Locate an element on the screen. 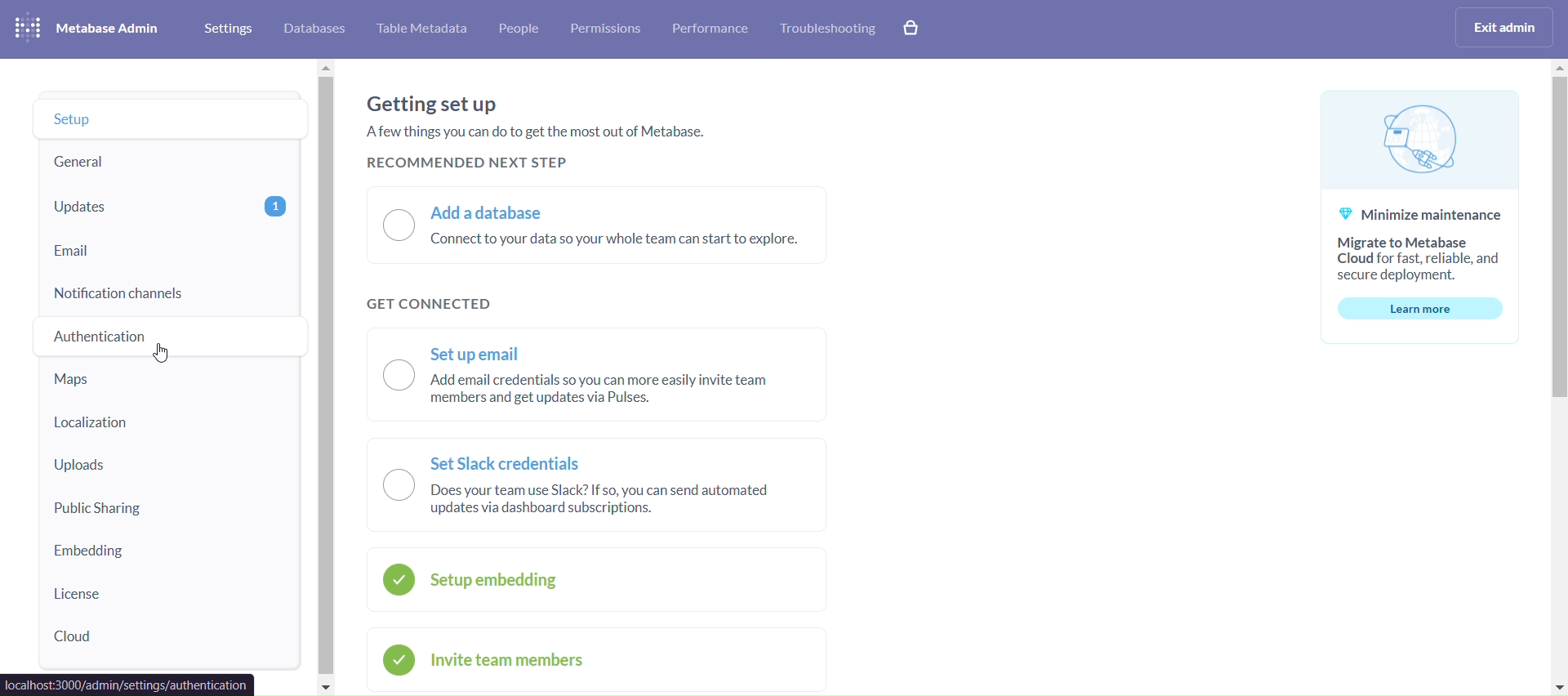  metabase admini is located at coordinates (109, 29).